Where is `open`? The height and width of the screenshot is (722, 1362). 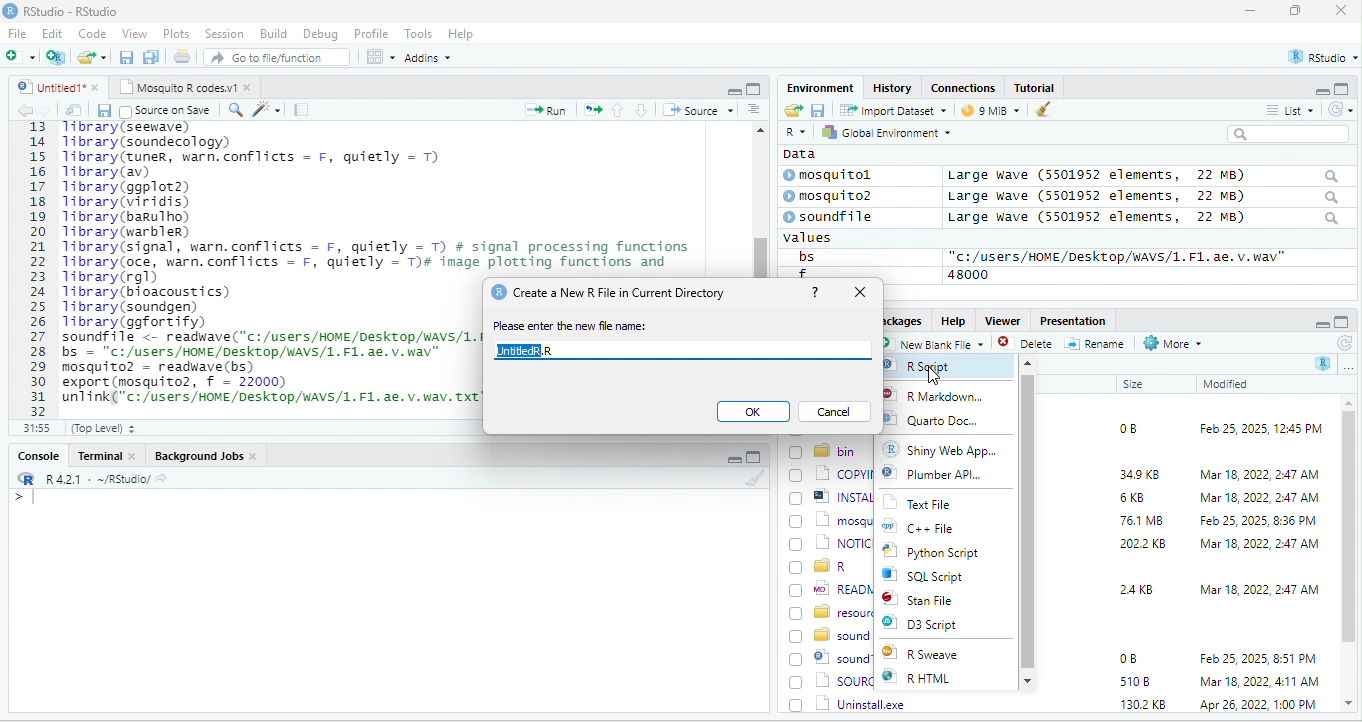
open is located at coordinates (593, 108).